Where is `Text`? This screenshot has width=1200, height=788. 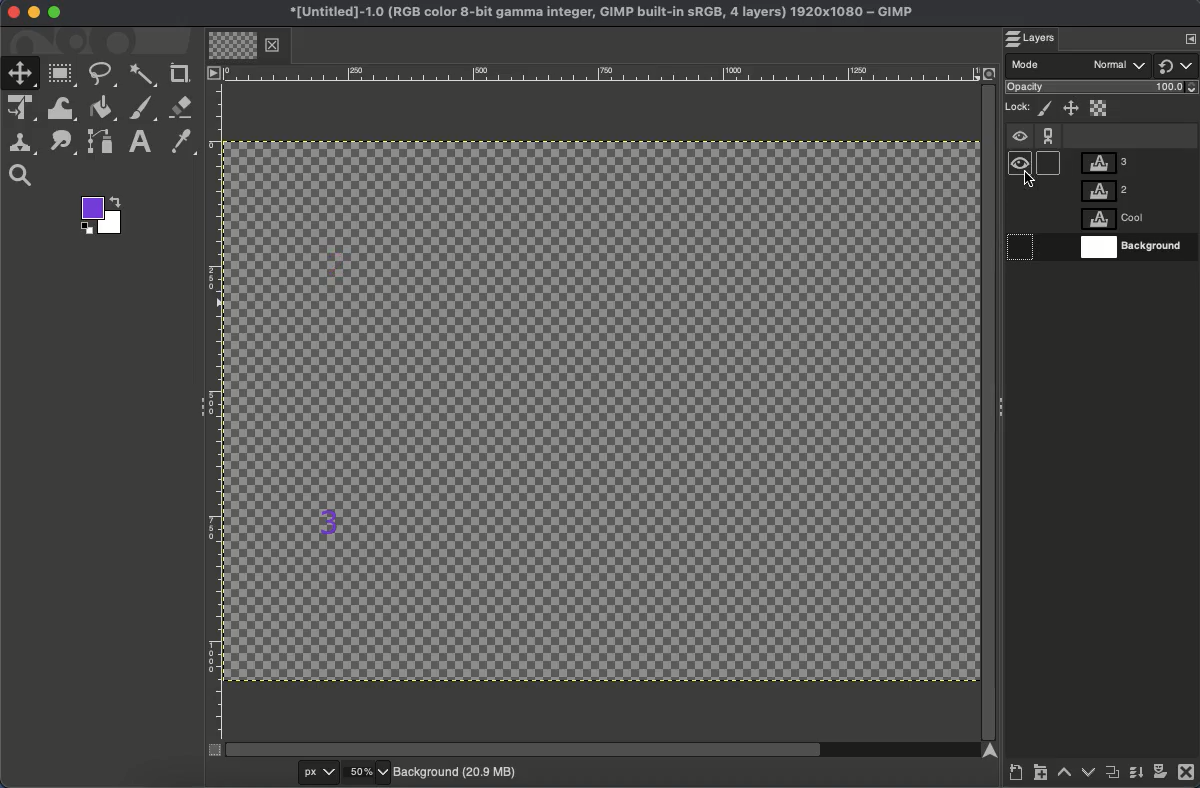
Text is located at coordinates (142, 141).